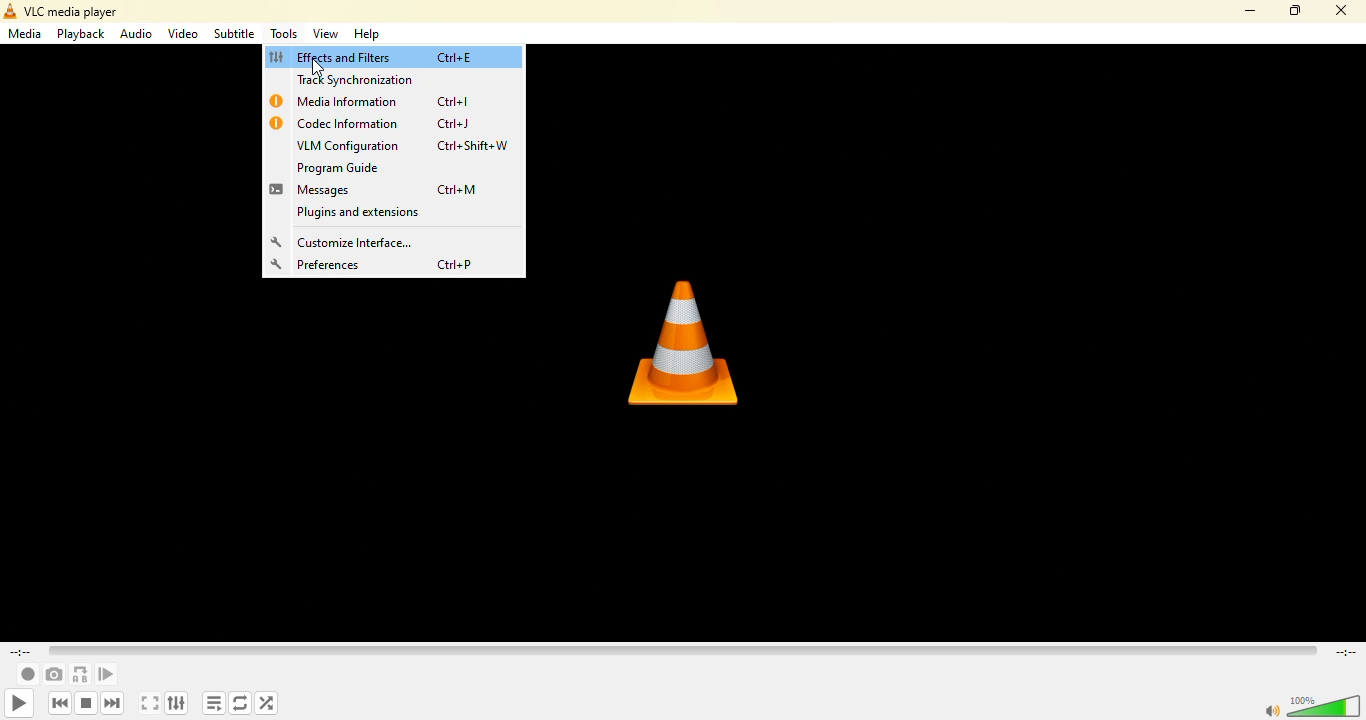 The image size is (1366, 720). Describe the element at coordinates (475, 147) in the screenshot. I see `ctrl+shift+w` at that location.